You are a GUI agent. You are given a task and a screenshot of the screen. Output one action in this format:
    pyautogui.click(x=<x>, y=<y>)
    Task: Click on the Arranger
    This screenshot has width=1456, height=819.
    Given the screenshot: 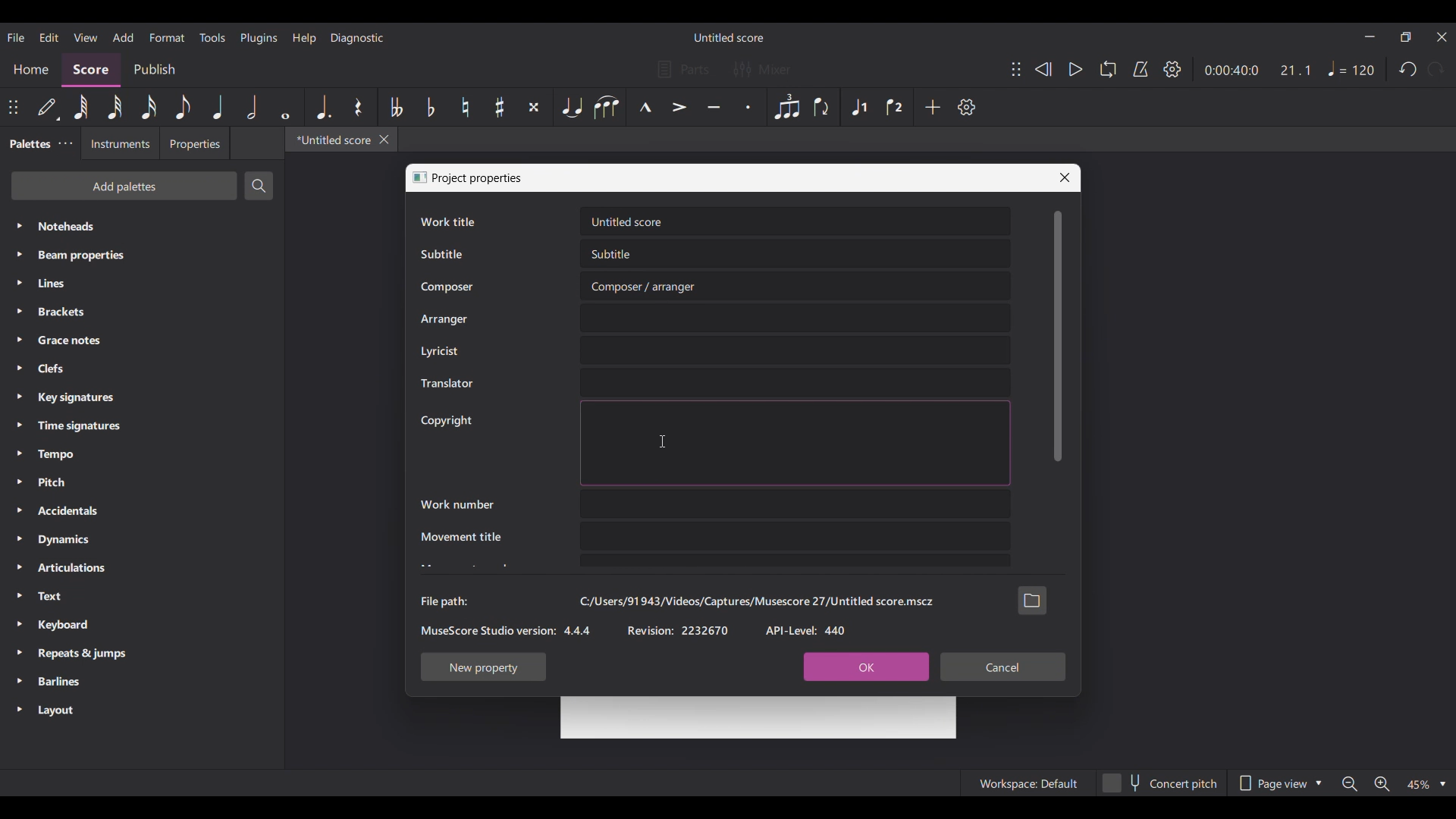 What is the action you would take?
    pyautogui.click(x=444, y=319)
    